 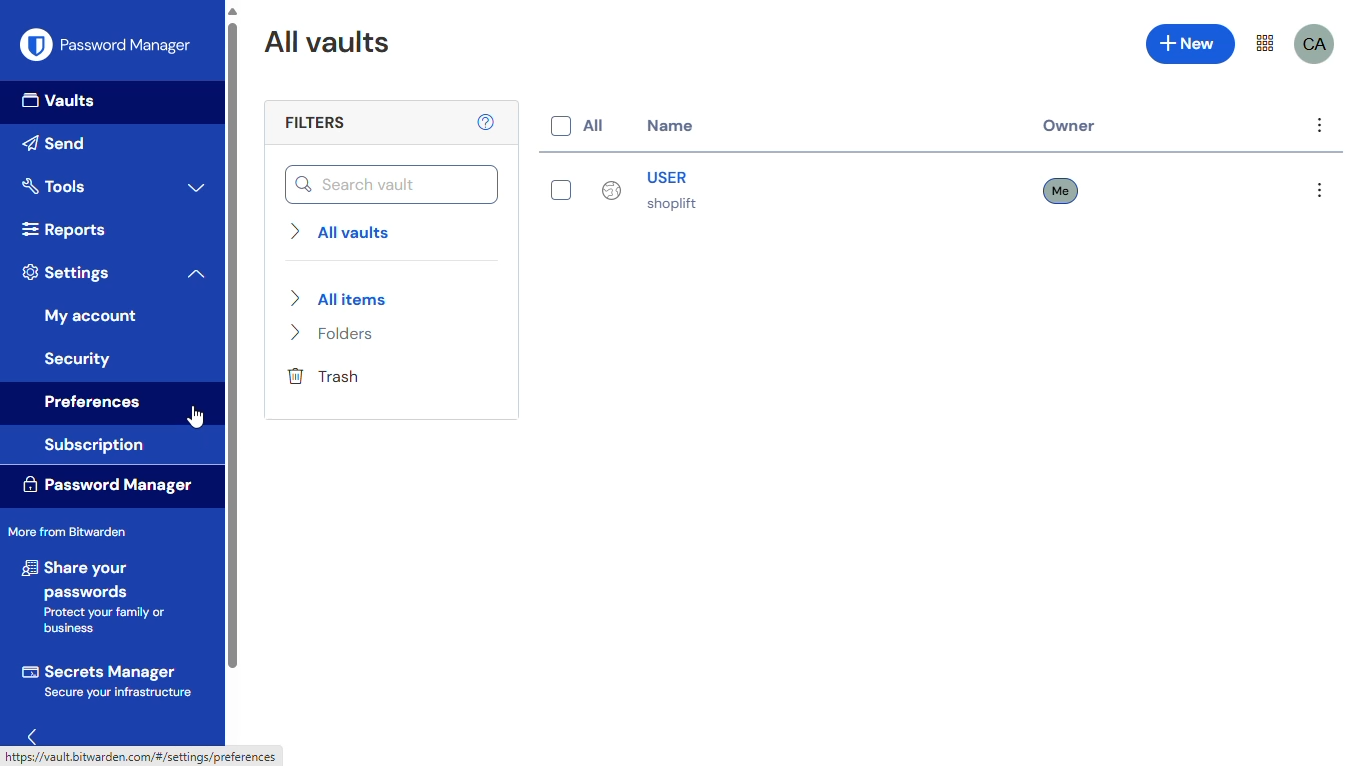 What do you see at coordinates (33, 735) in the screenshot?
I see `hide` at bounding box center [33, 735].